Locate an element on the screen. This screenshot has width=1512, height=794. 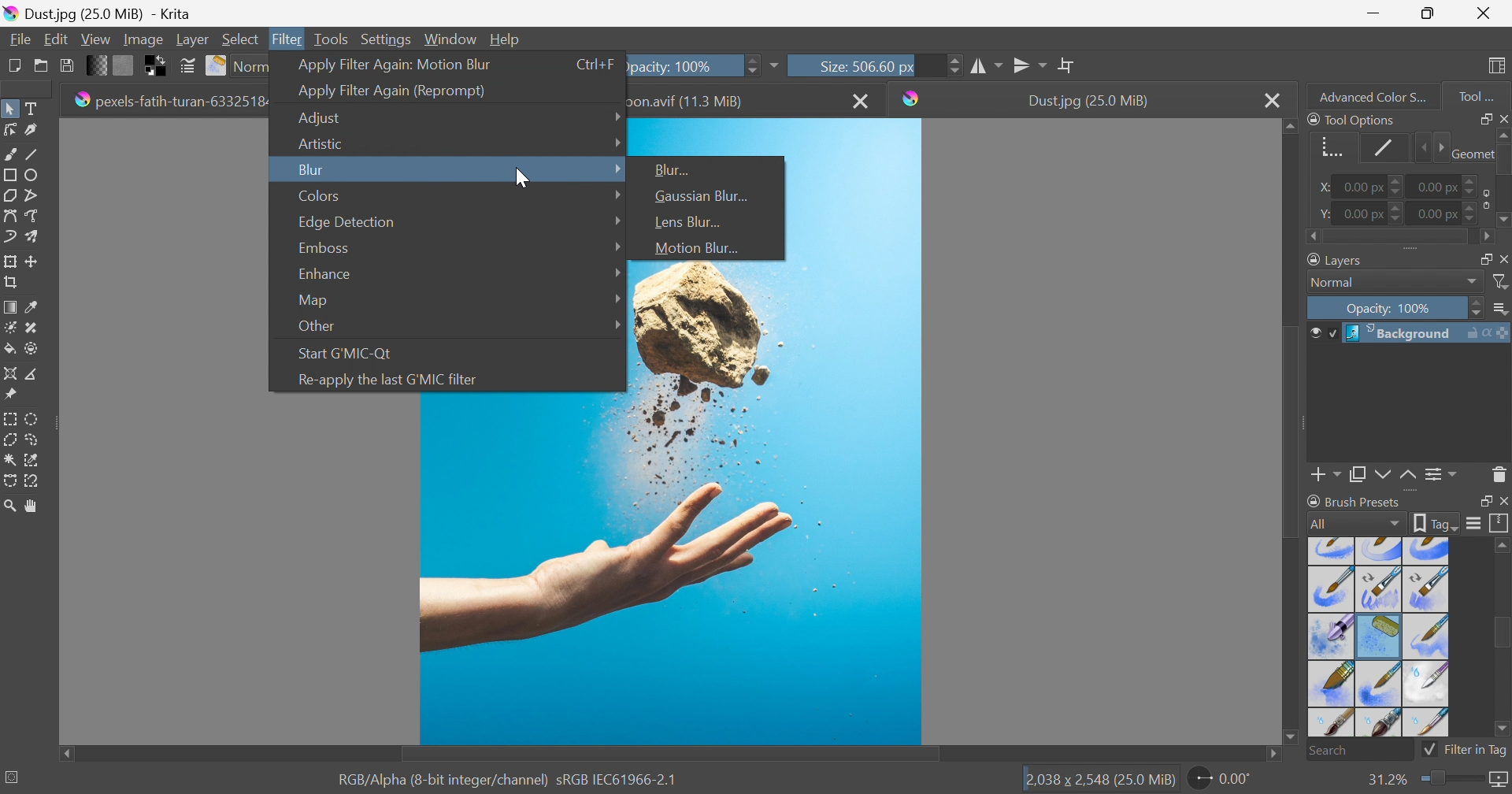
Cursor is located at coordinates (520, 178).